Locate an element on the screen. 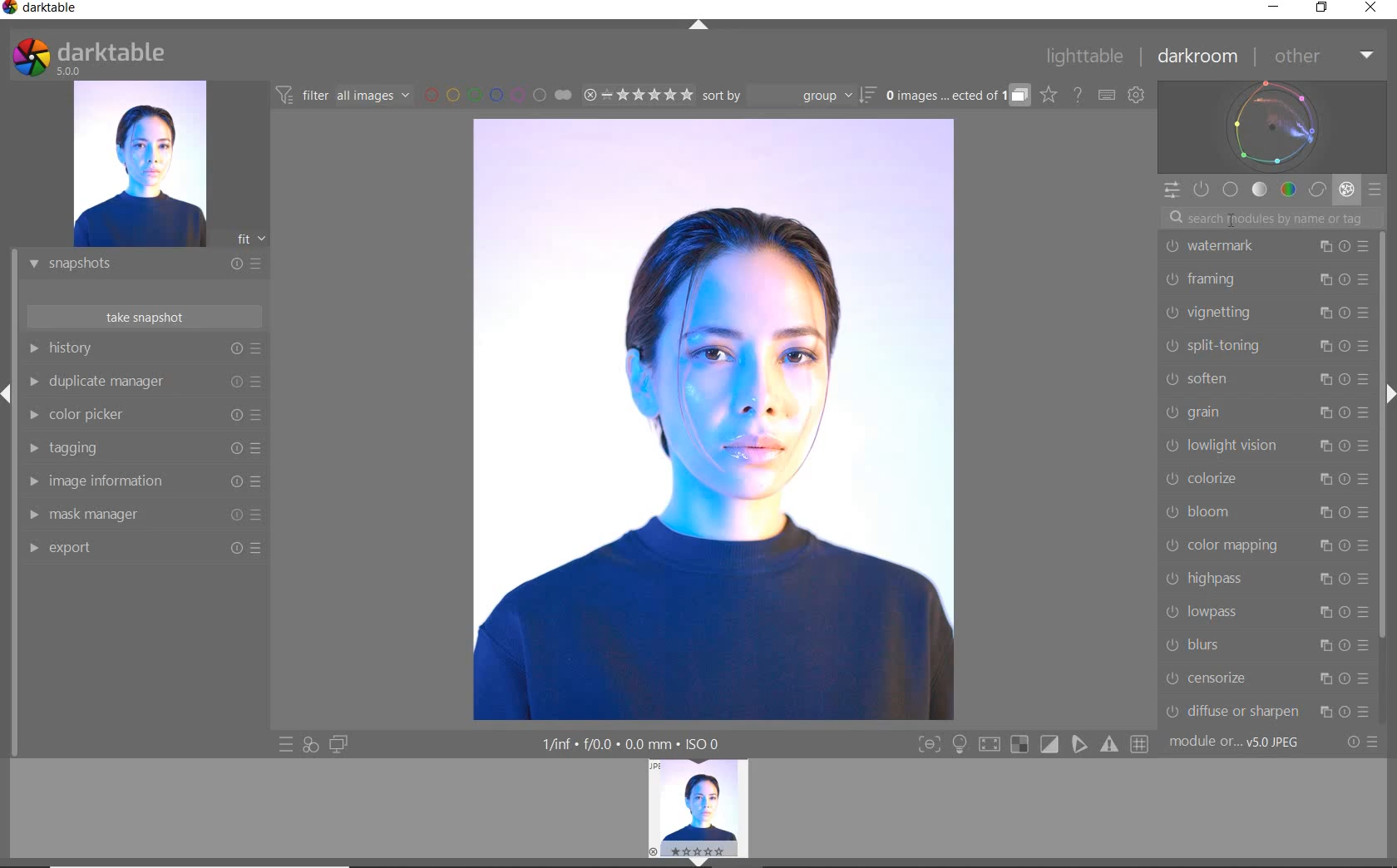  SELECTED IMAGE is located at coordinates (712, 419).